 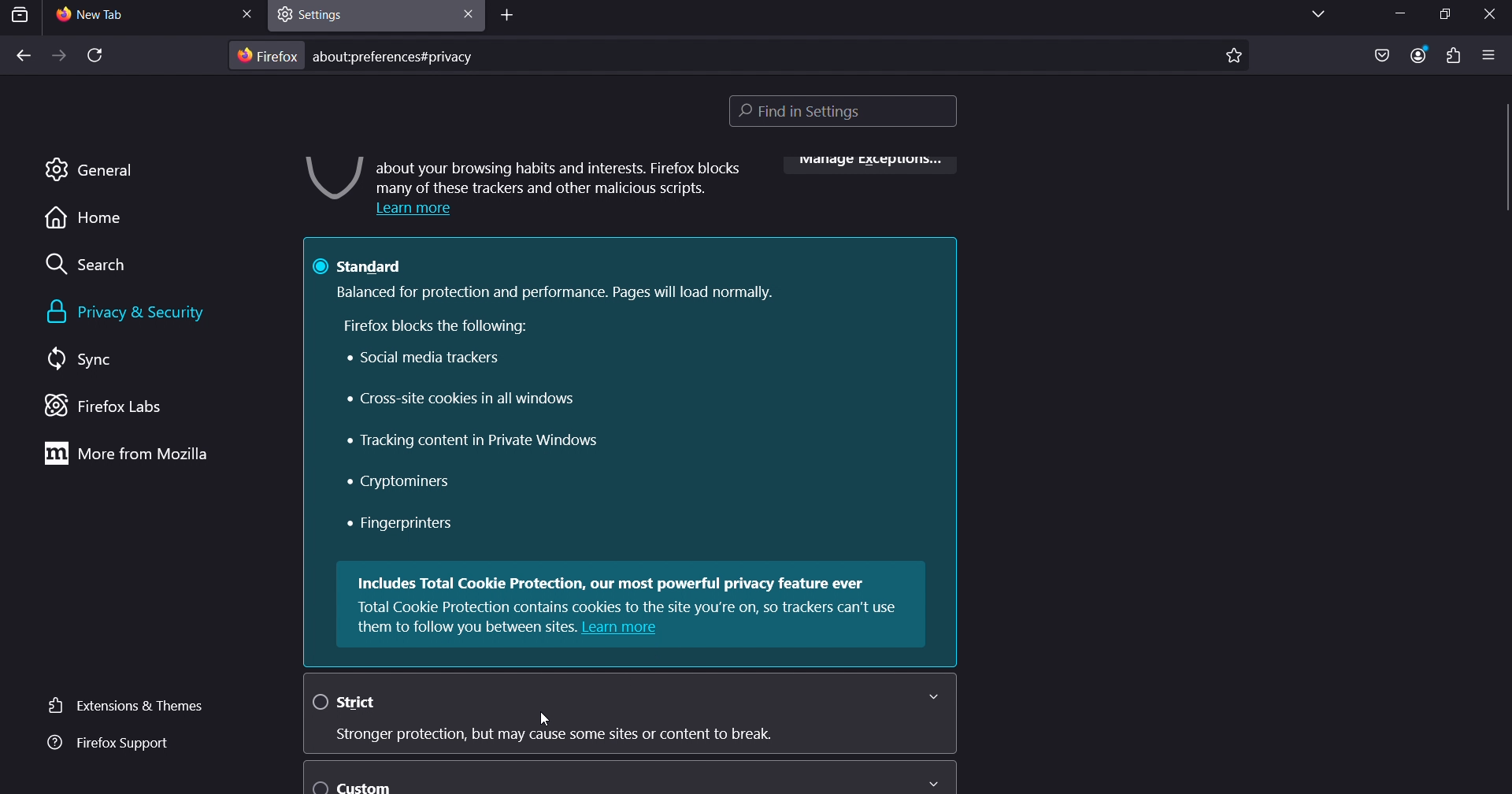 I want to click on image, so click(x=329, y=178).